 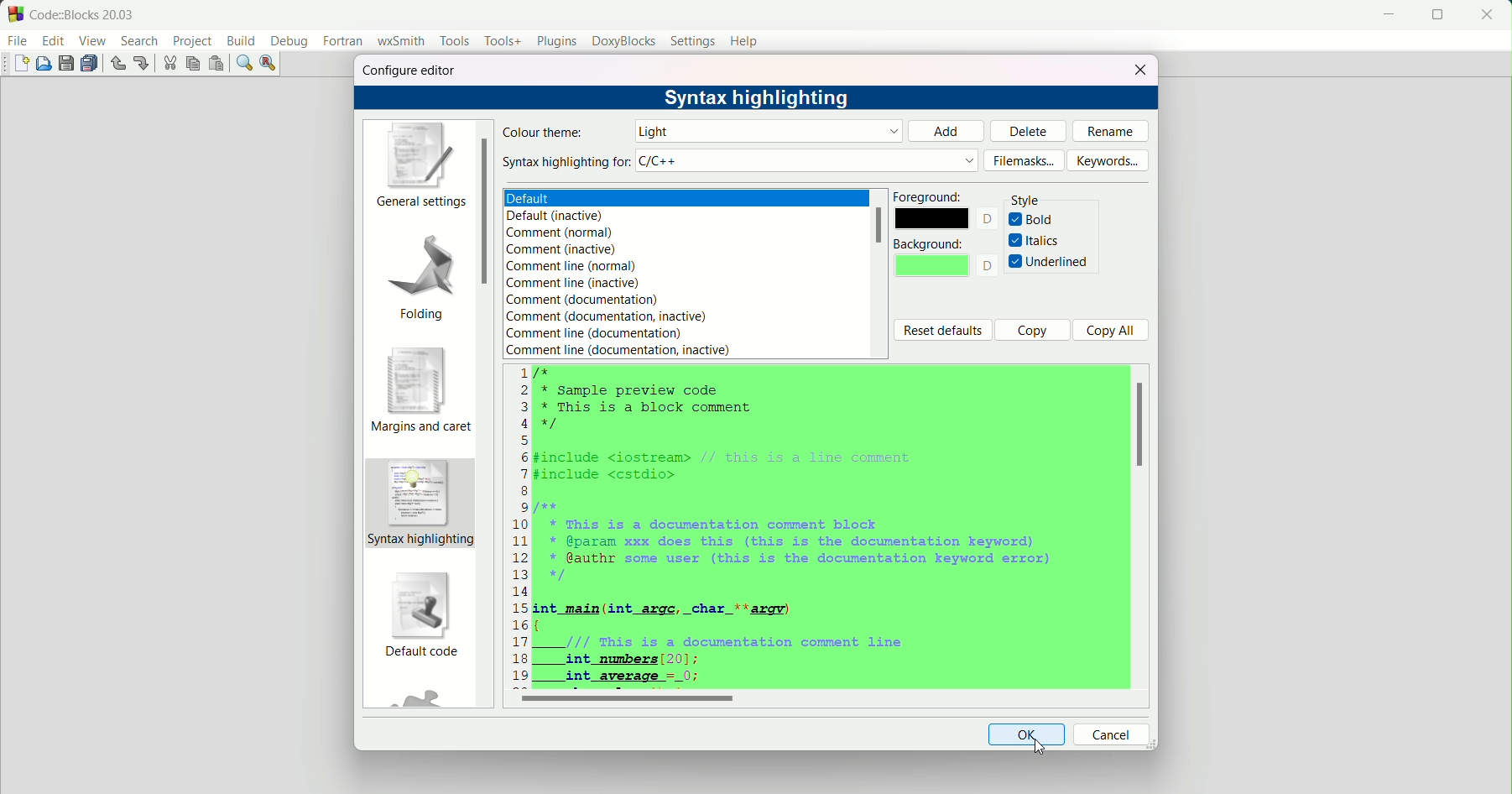 I want to click on italics, so click(x=1035, y=240).